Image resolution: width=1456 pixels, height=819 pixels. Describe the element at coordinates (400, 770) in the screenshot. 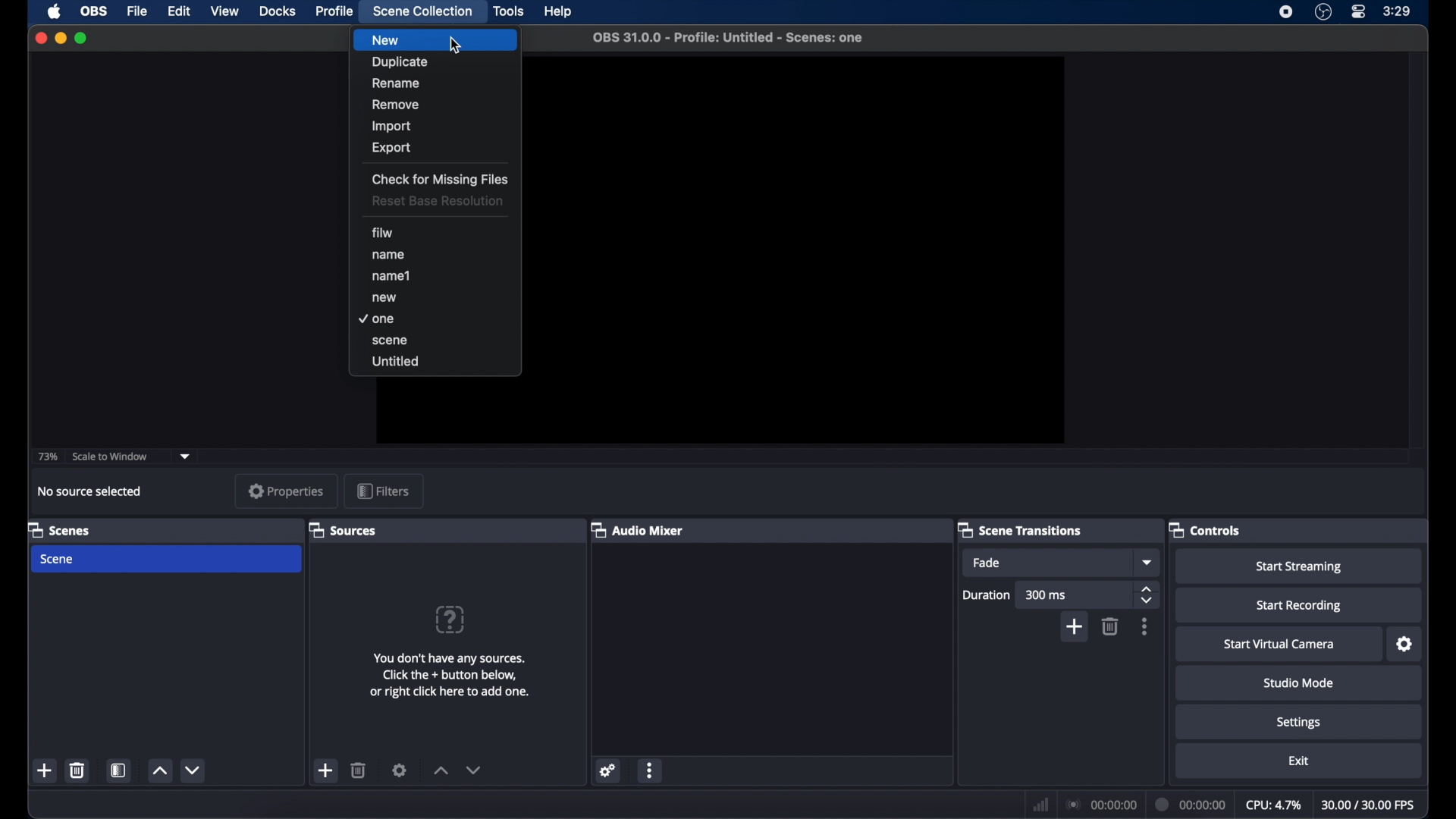

I see `settings` at that location.